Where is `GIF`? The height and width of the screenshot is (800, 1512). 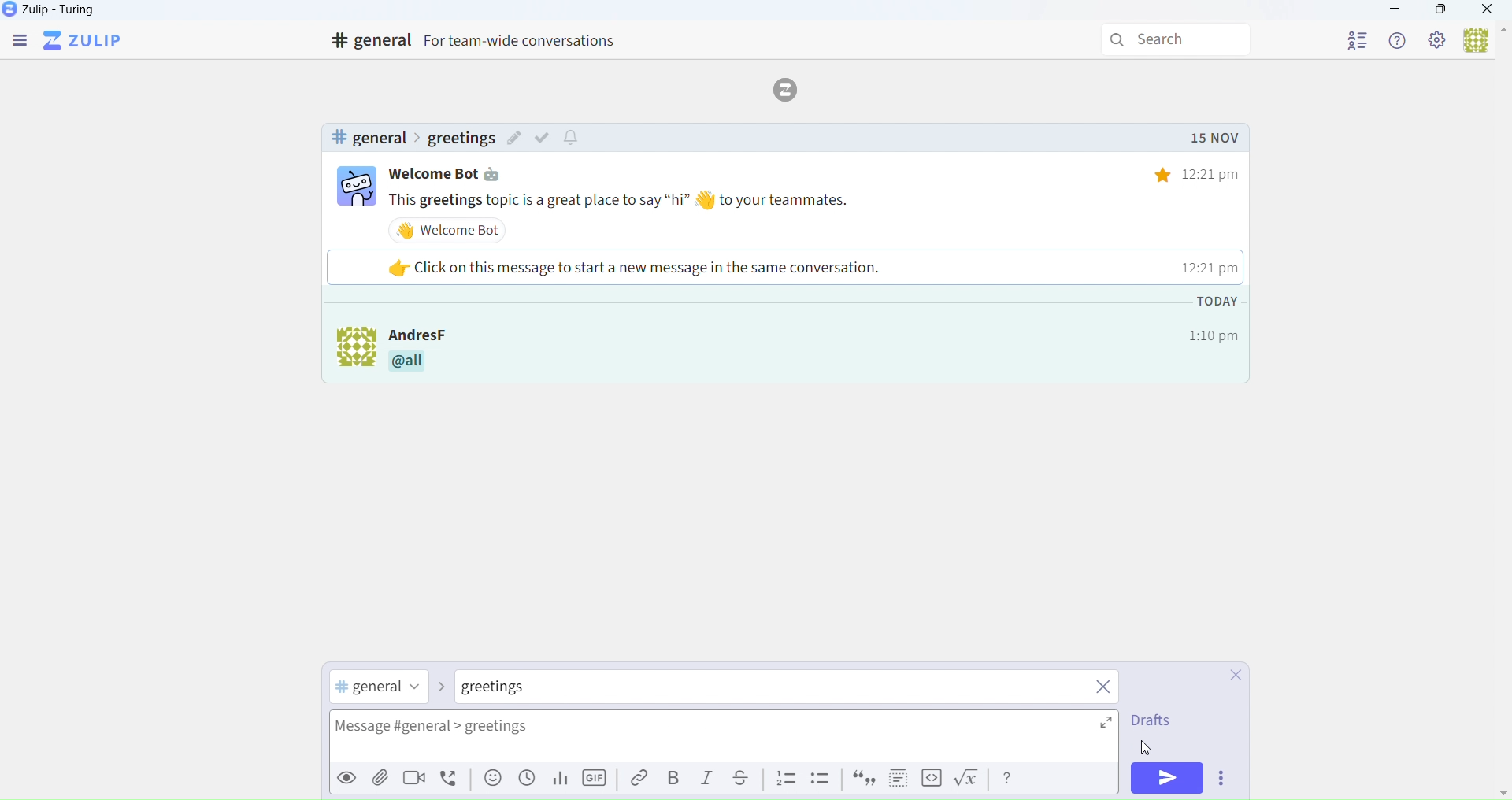 GIF is located at coordinates (597, 781).